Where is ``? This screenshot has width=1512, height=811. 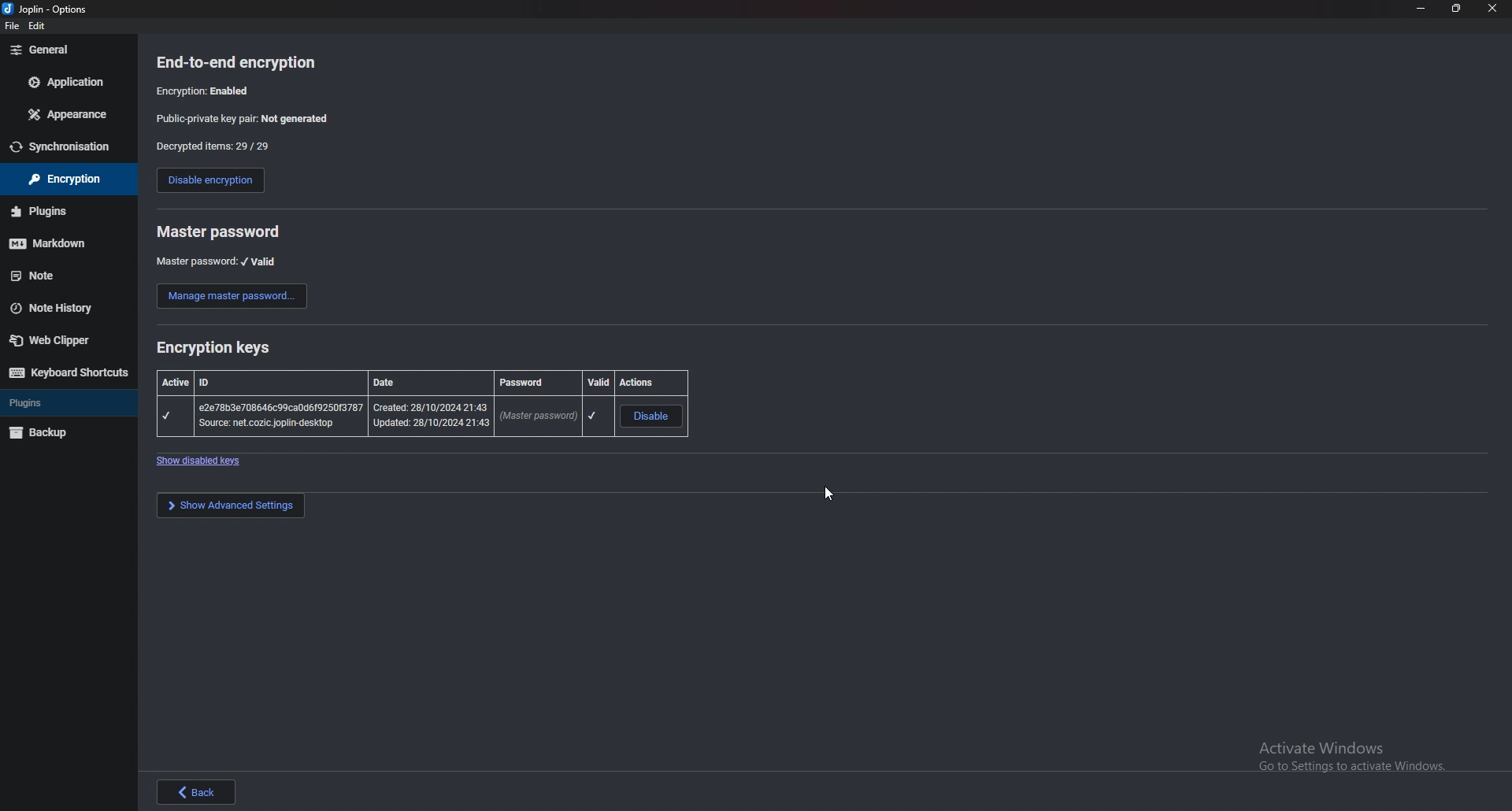
 is located at coordinates (28, 402).